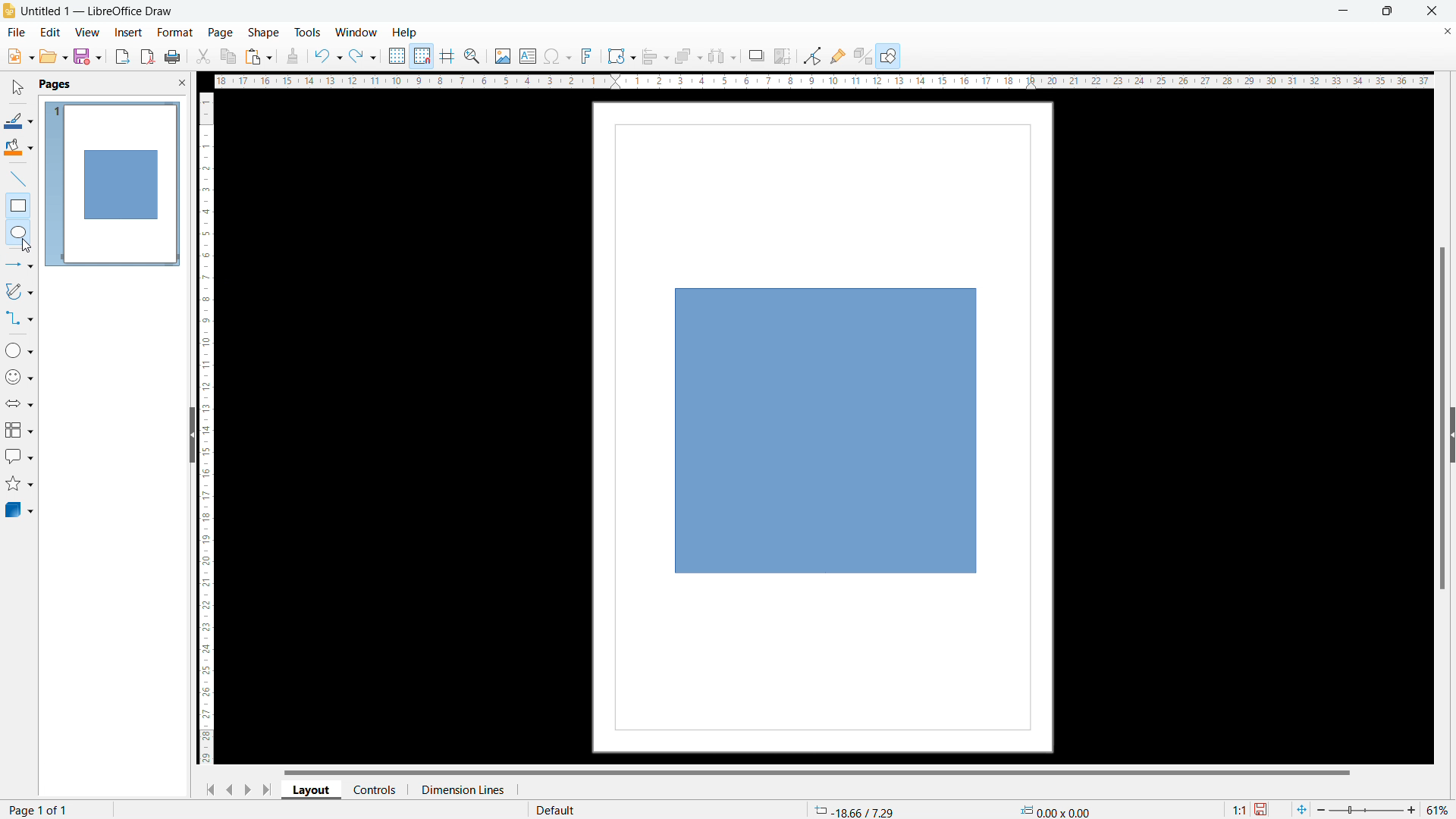 This screenshot has width=1456, height=819. I want to click on go to next page, so click(247, 789).